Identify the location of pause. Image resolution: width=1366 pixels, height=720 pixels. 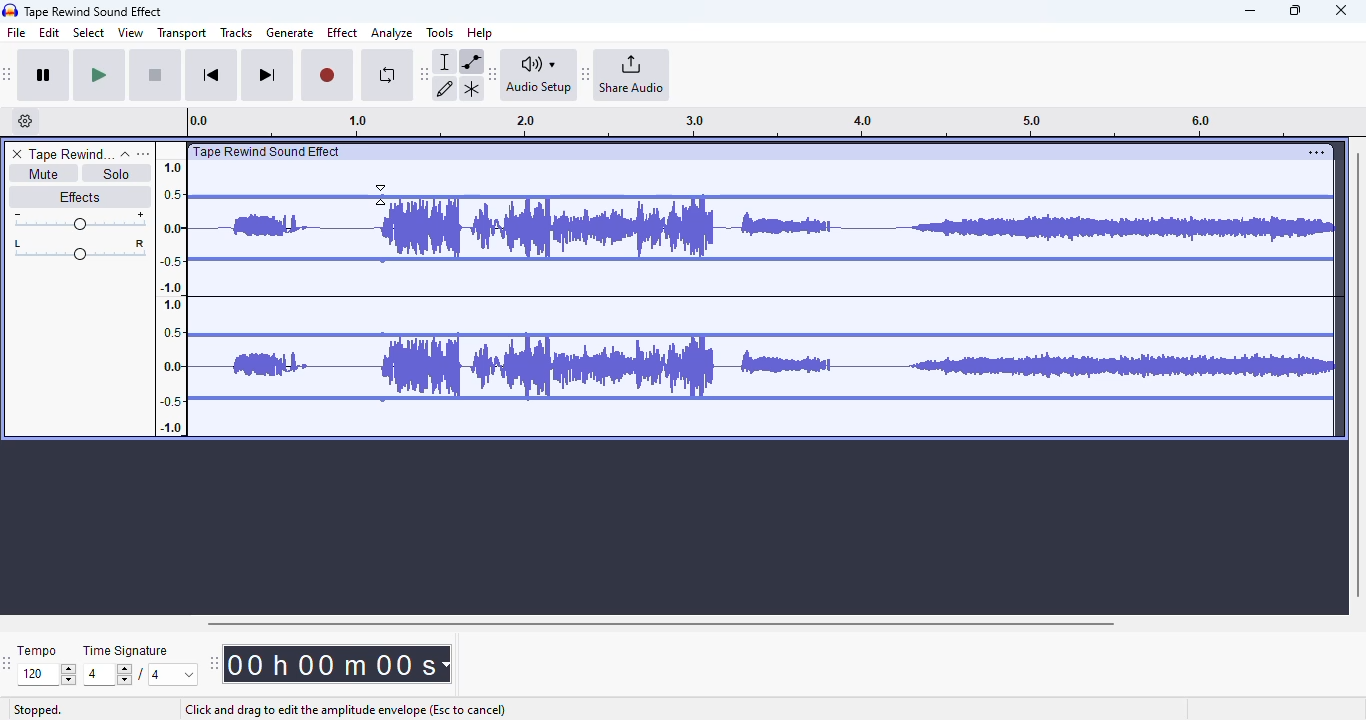
(44, 76).